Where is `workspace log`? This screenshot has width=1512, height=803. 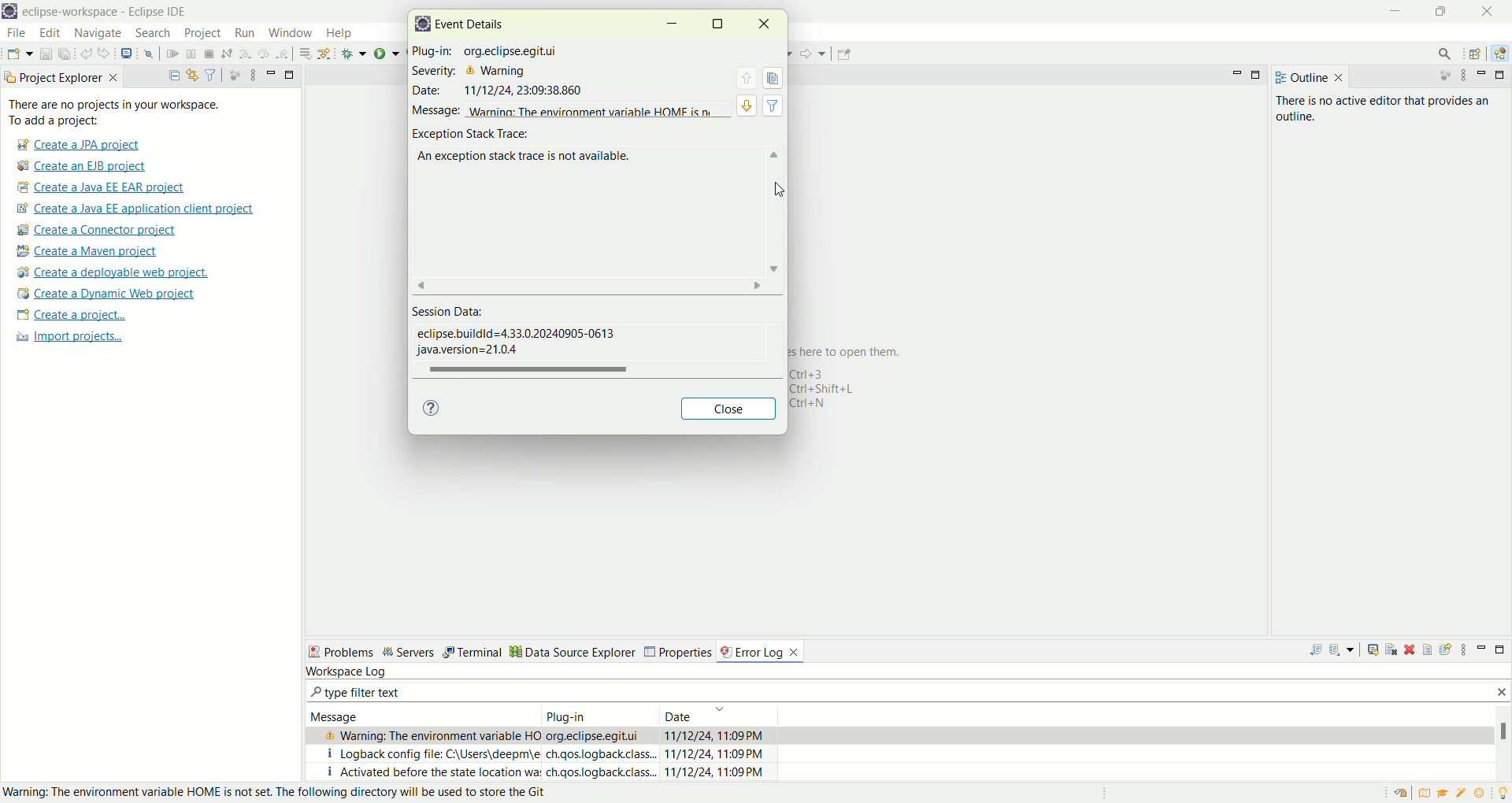
workspace log is located at coordinates (337, 668).